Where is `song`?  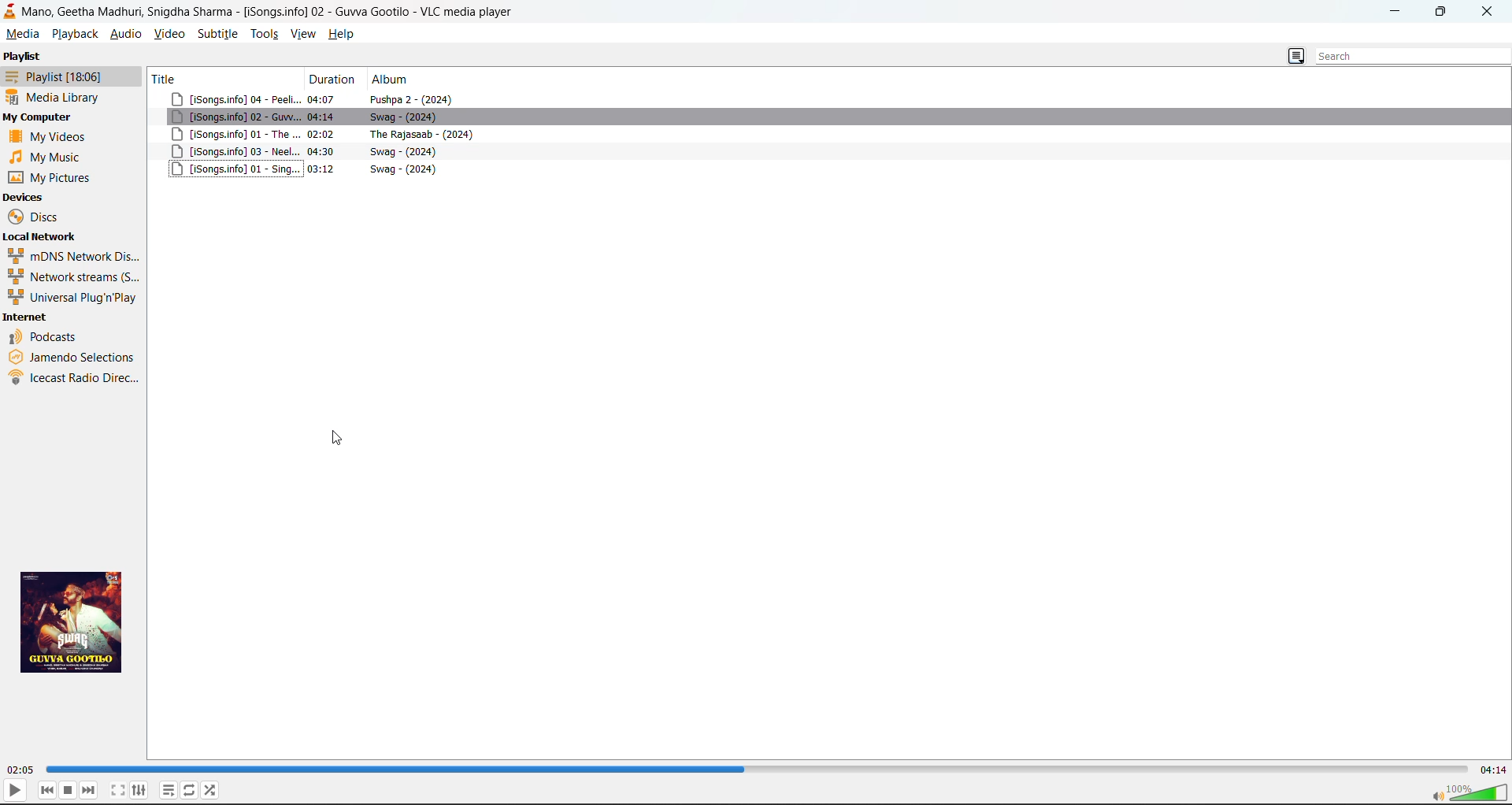
song is located at coordinates (830, 135).